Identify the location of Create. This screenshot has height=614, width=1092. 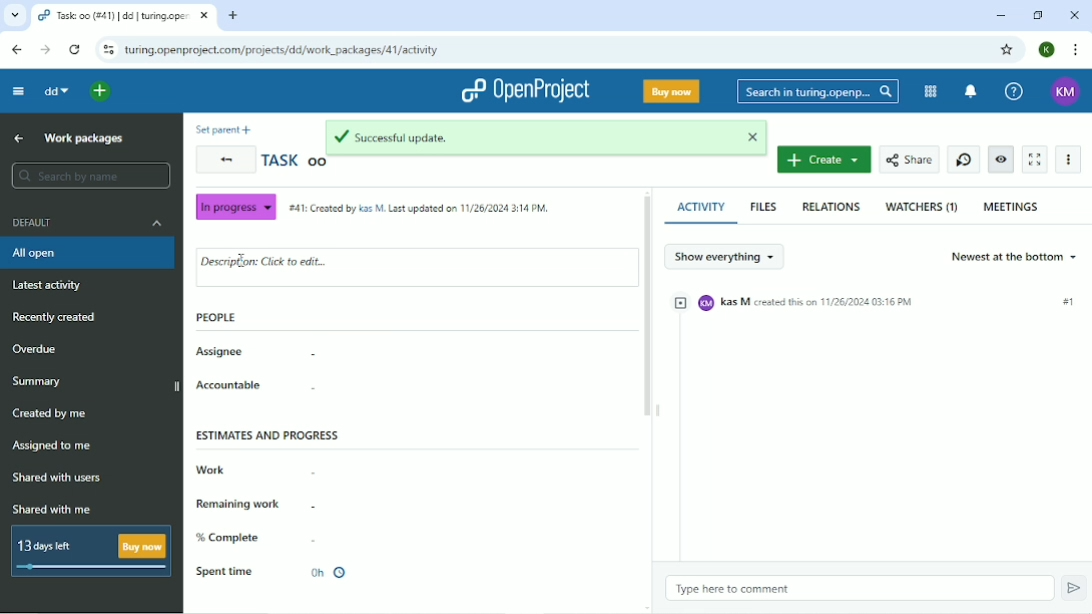
(825, 160).